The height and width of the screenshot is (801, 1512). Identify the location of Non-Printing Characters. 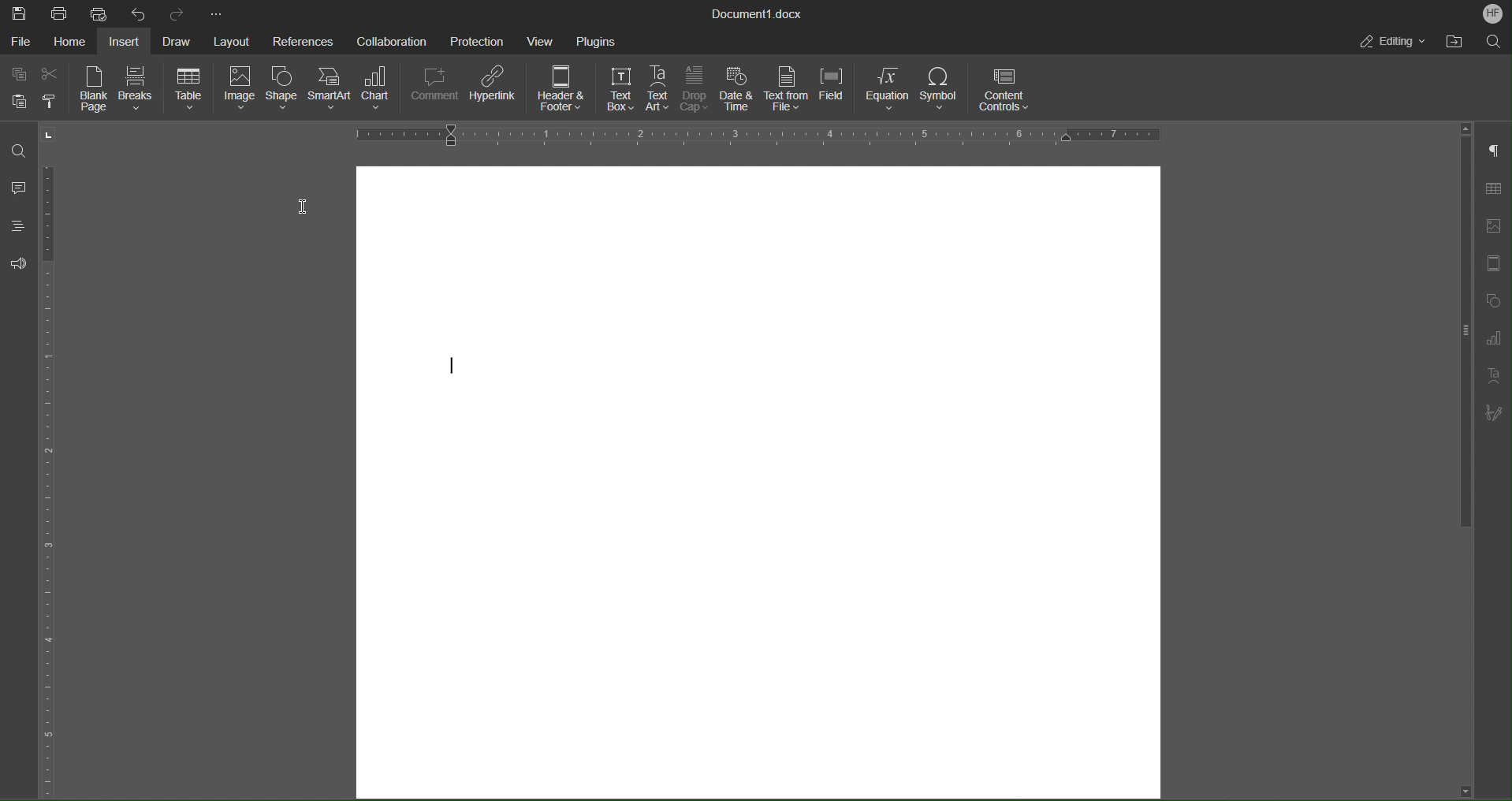
(1492, 152).